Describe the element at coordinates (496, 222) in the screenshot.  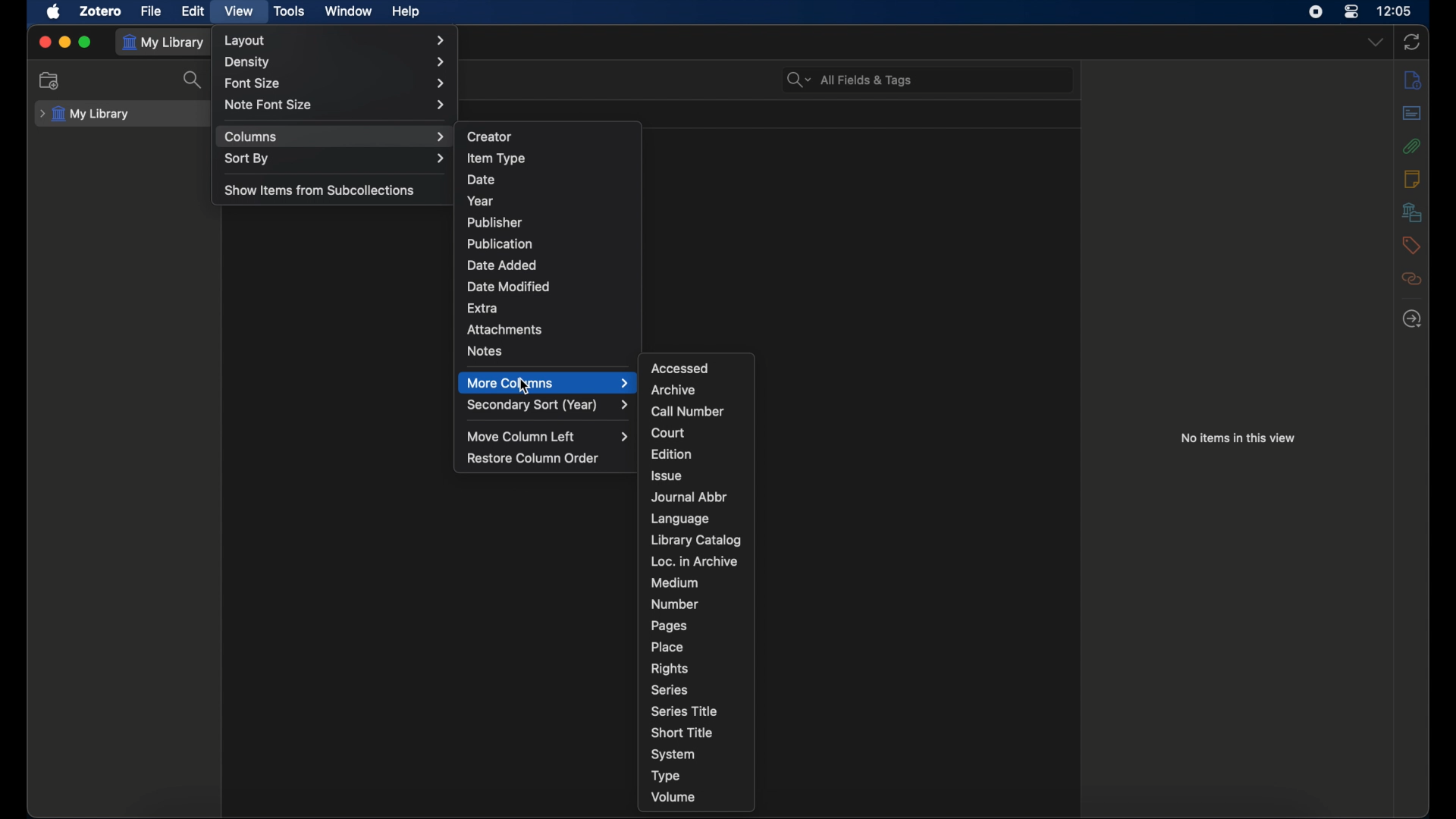
I see `publisher` at that location.